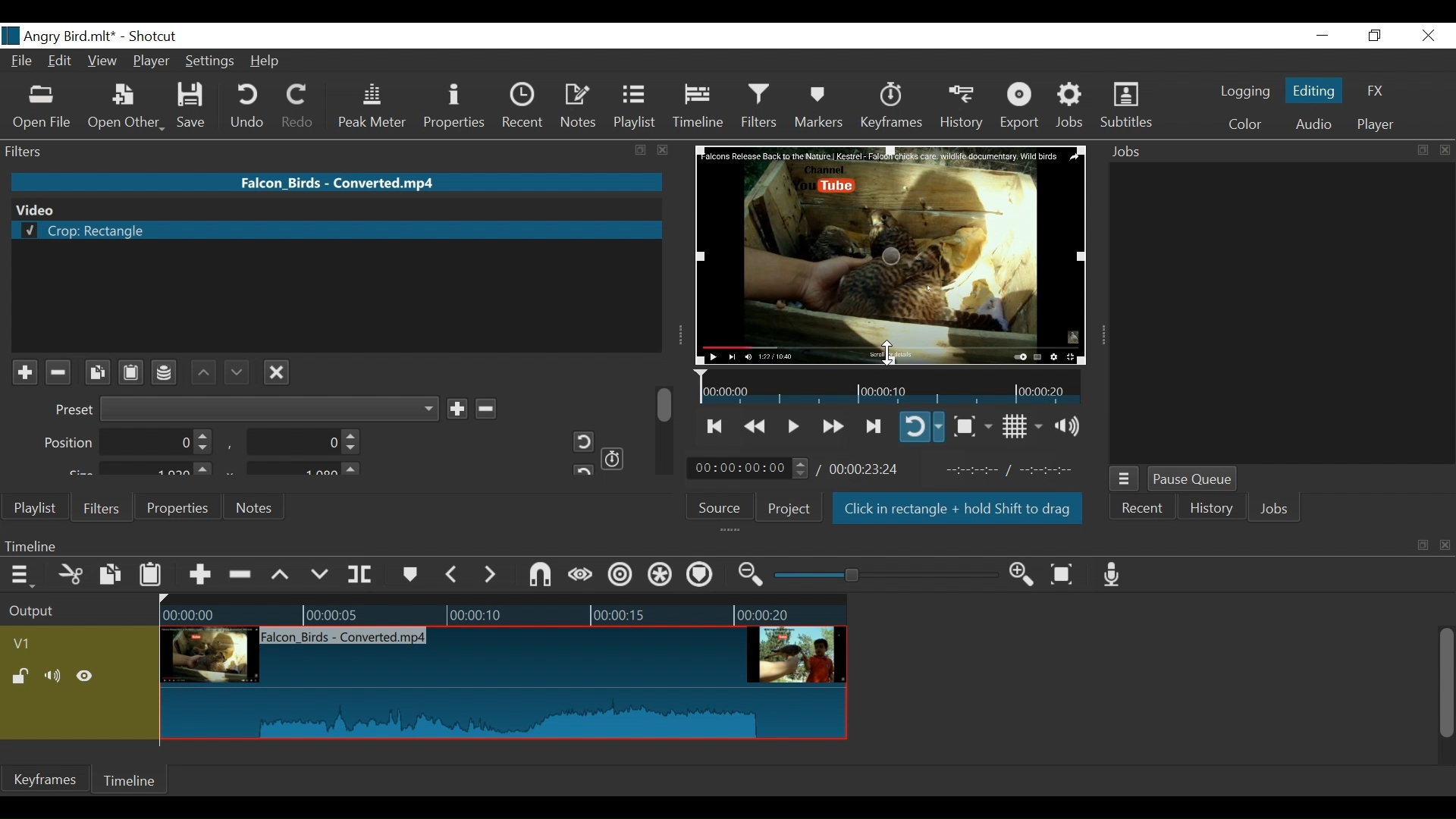 The width and height of the screenshot is (1456, 819). Describe the element at coordinates (504, 684) in the screenshot. I see `Video track clip` at that location.